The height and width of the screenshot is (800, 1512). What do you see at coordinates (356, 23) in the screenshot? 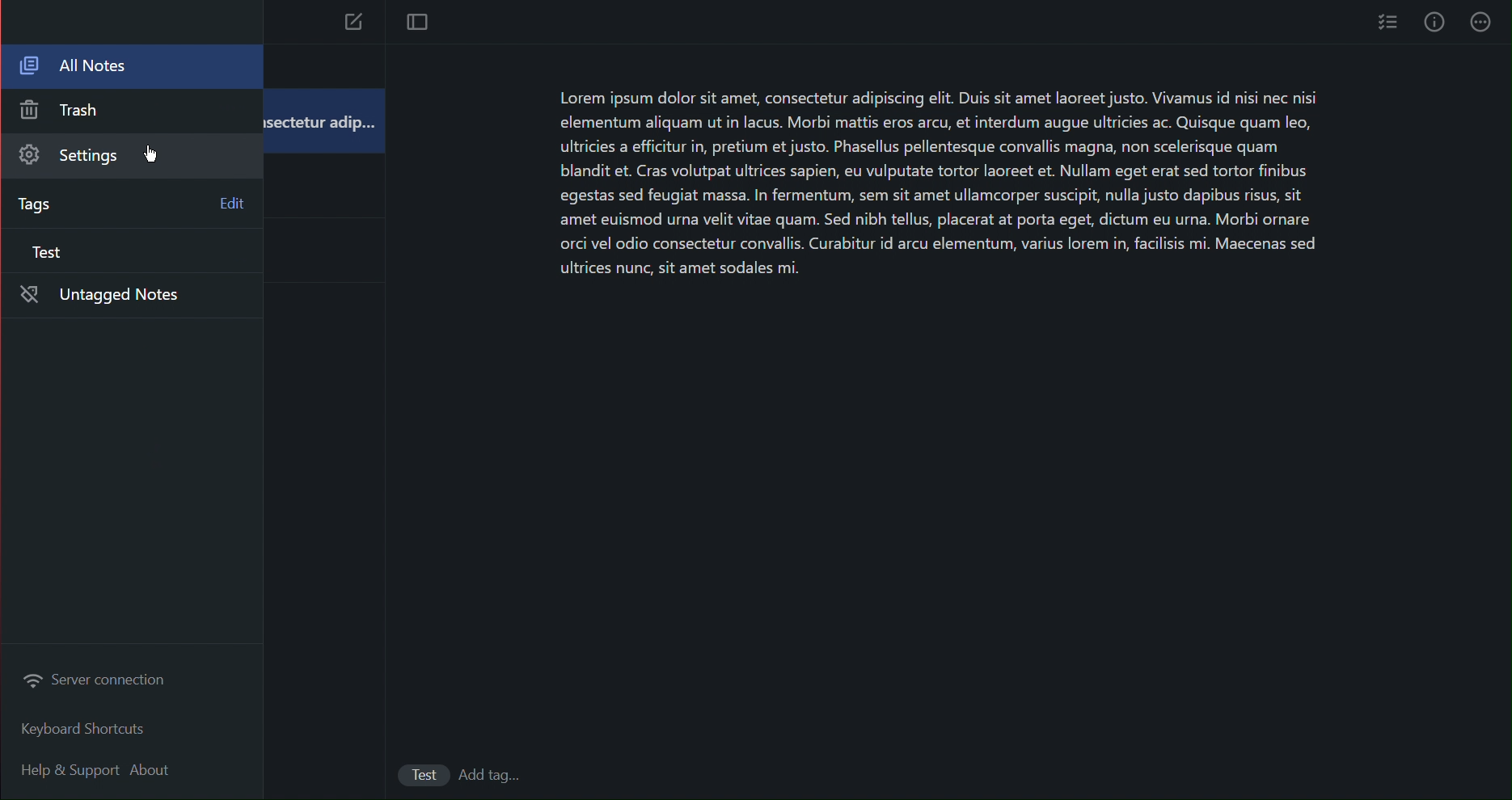
I see `New Note` at bounding box center [356, 23].